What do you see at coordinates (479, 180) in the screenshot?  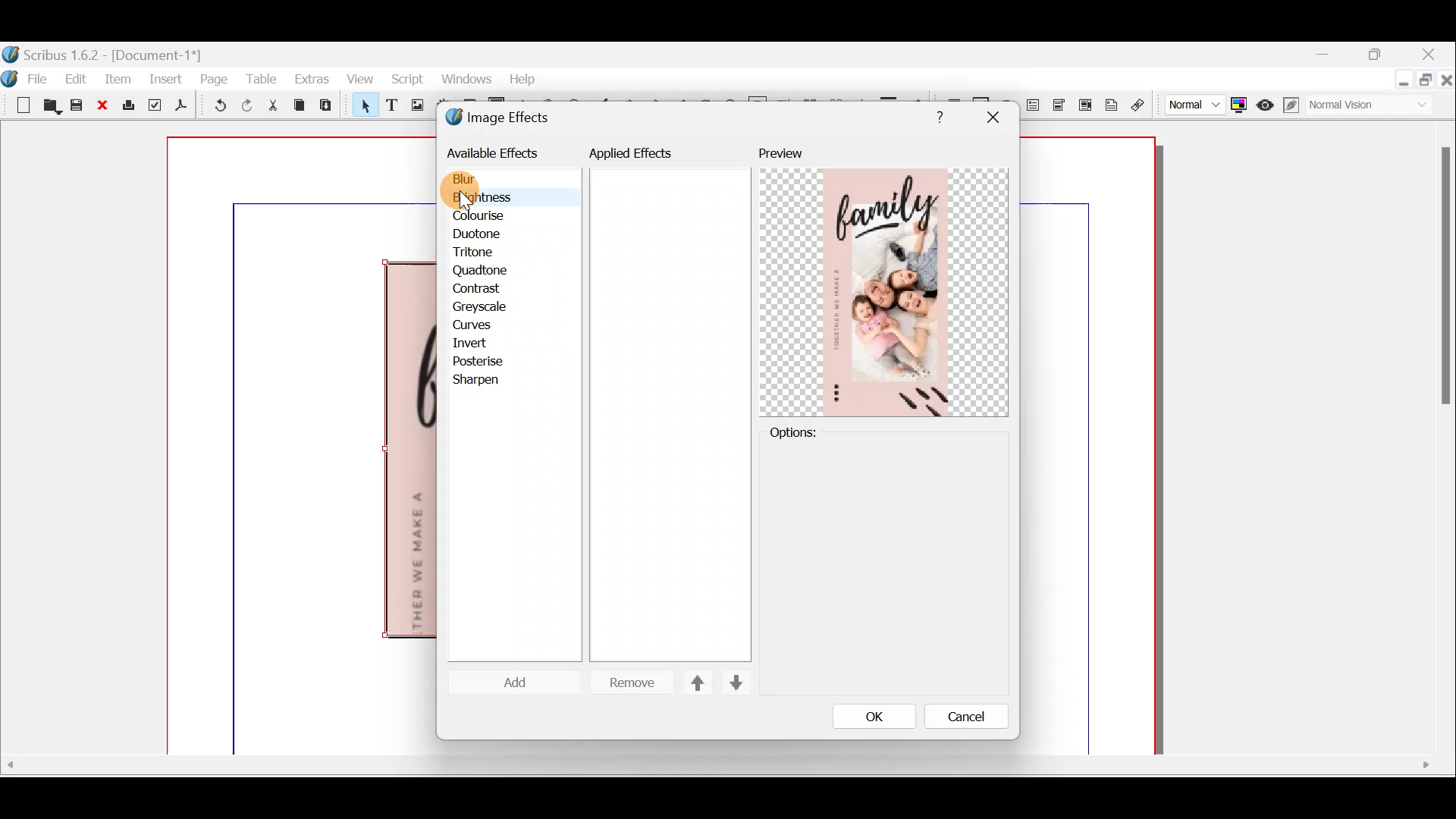 I see `Blur` at bounding box center [479, 180].